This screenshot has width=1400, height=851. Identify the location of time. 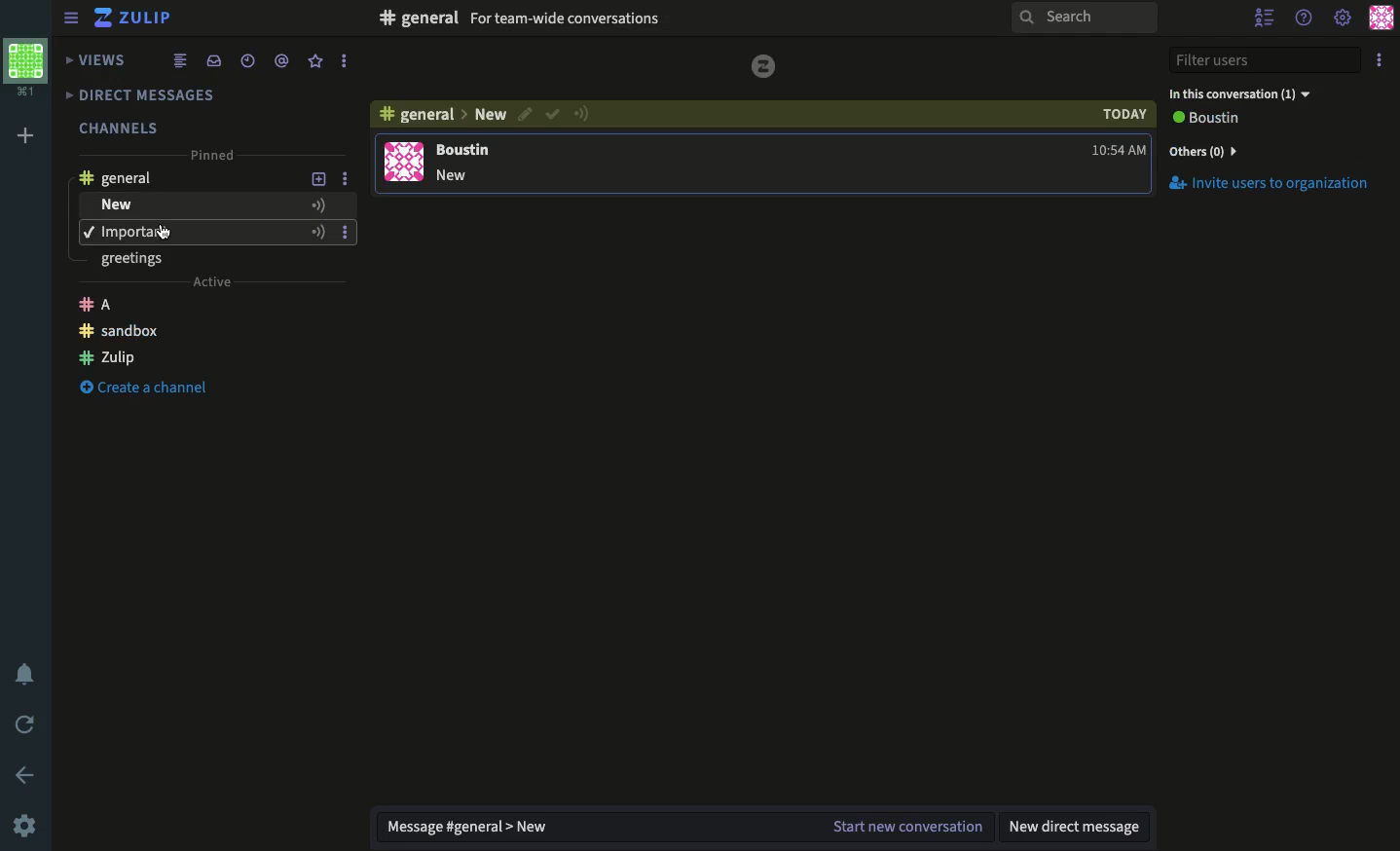
(1113, 151).